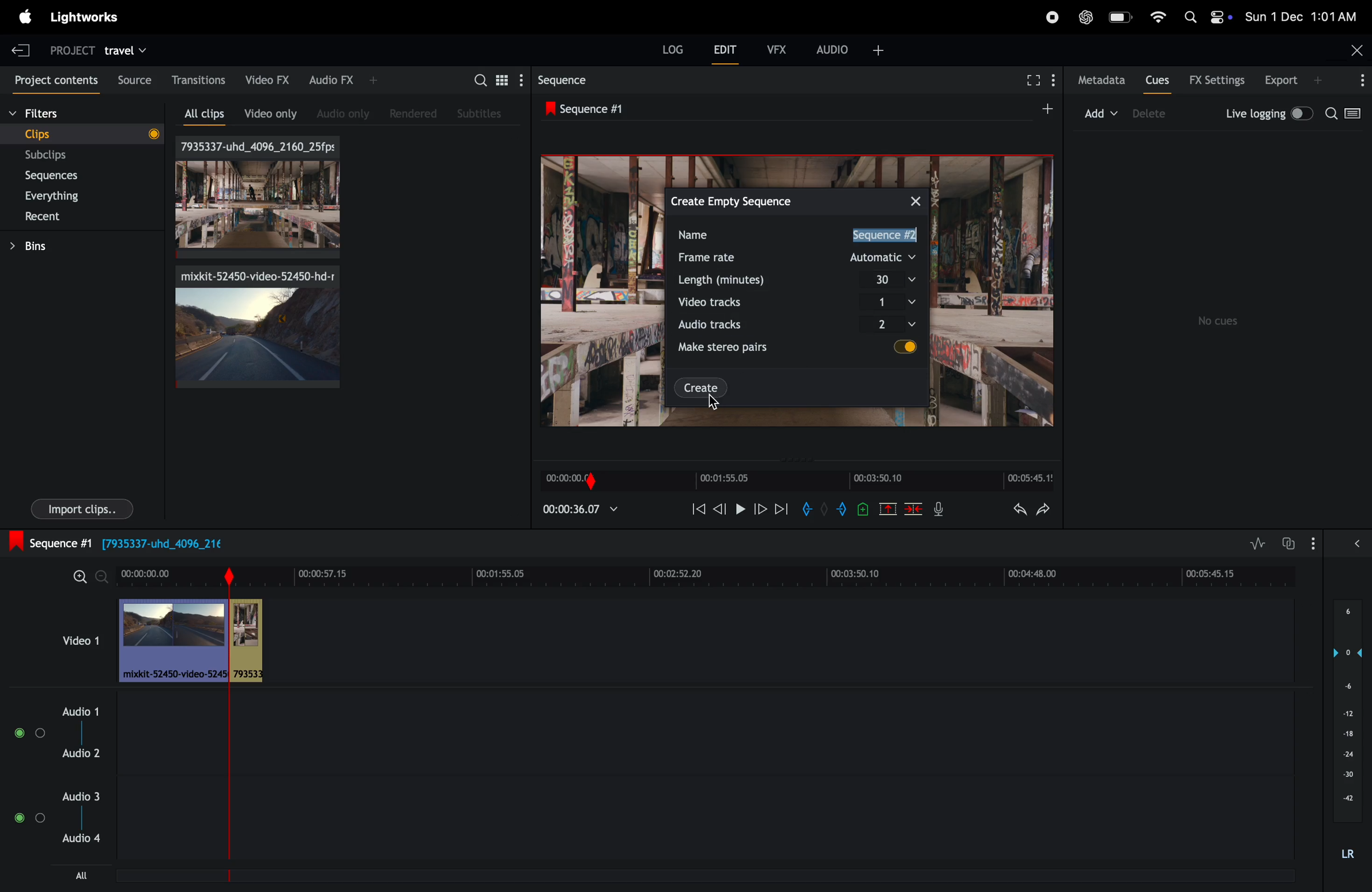 The width and height of the screenshot is (1372, 892). I want to click on Fx settings, so click(1216, 80).